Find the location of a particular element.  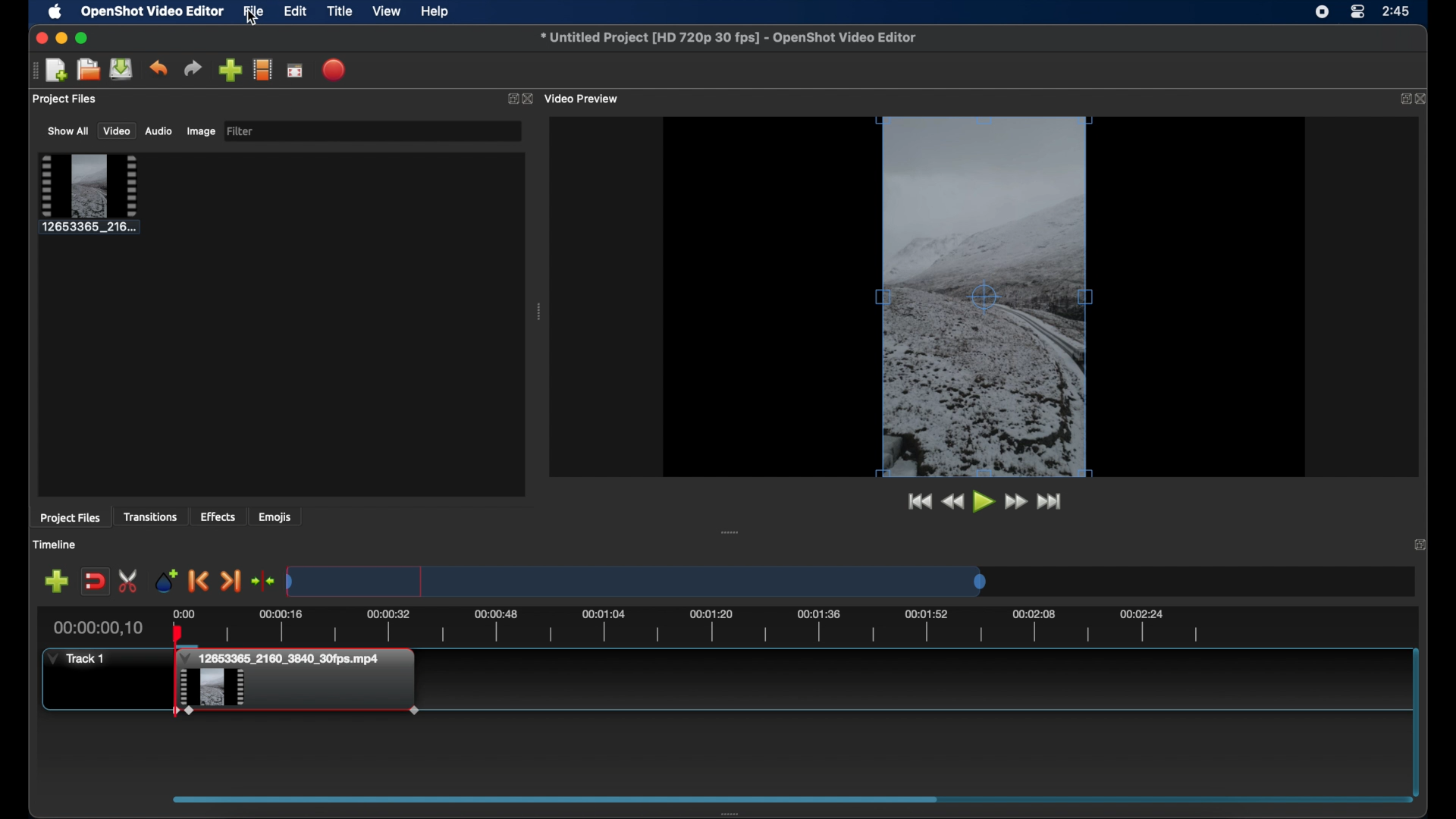

rewind is located at coordinates (953, 501).